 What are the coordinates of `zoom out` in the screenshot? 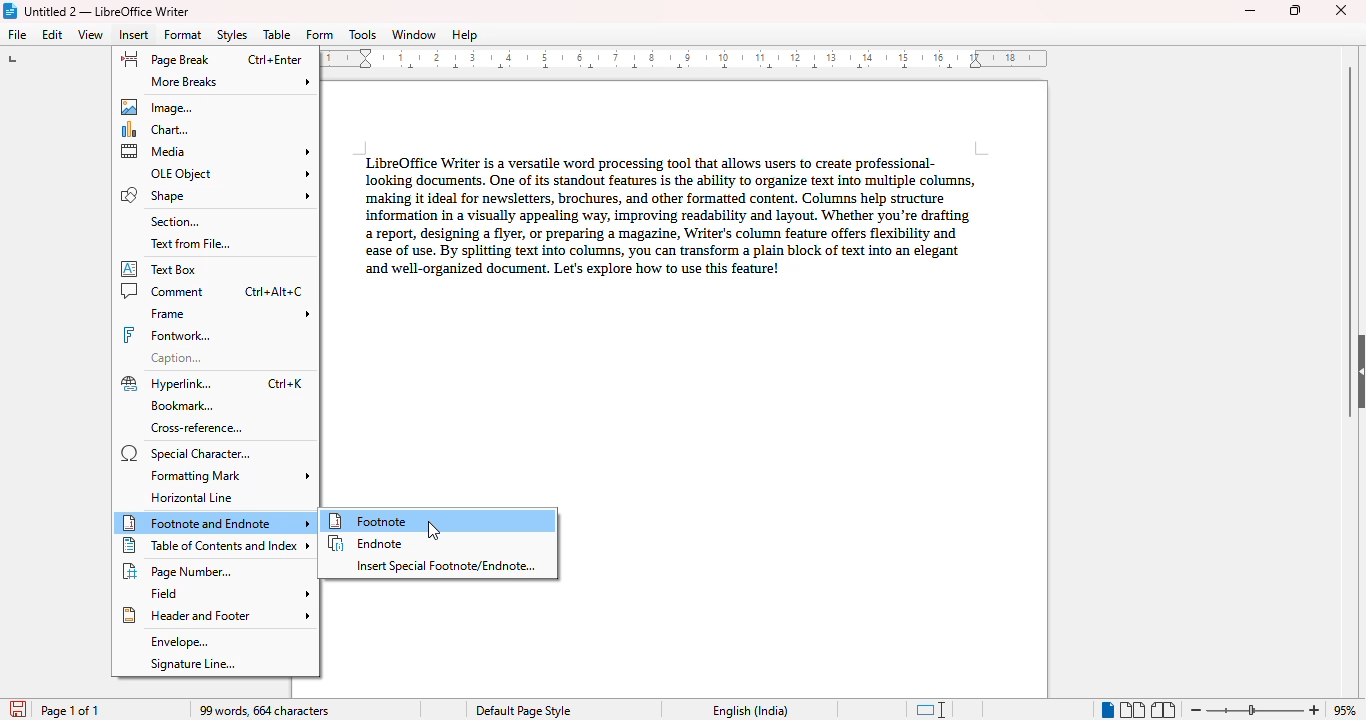 It's located at (1197, 710).